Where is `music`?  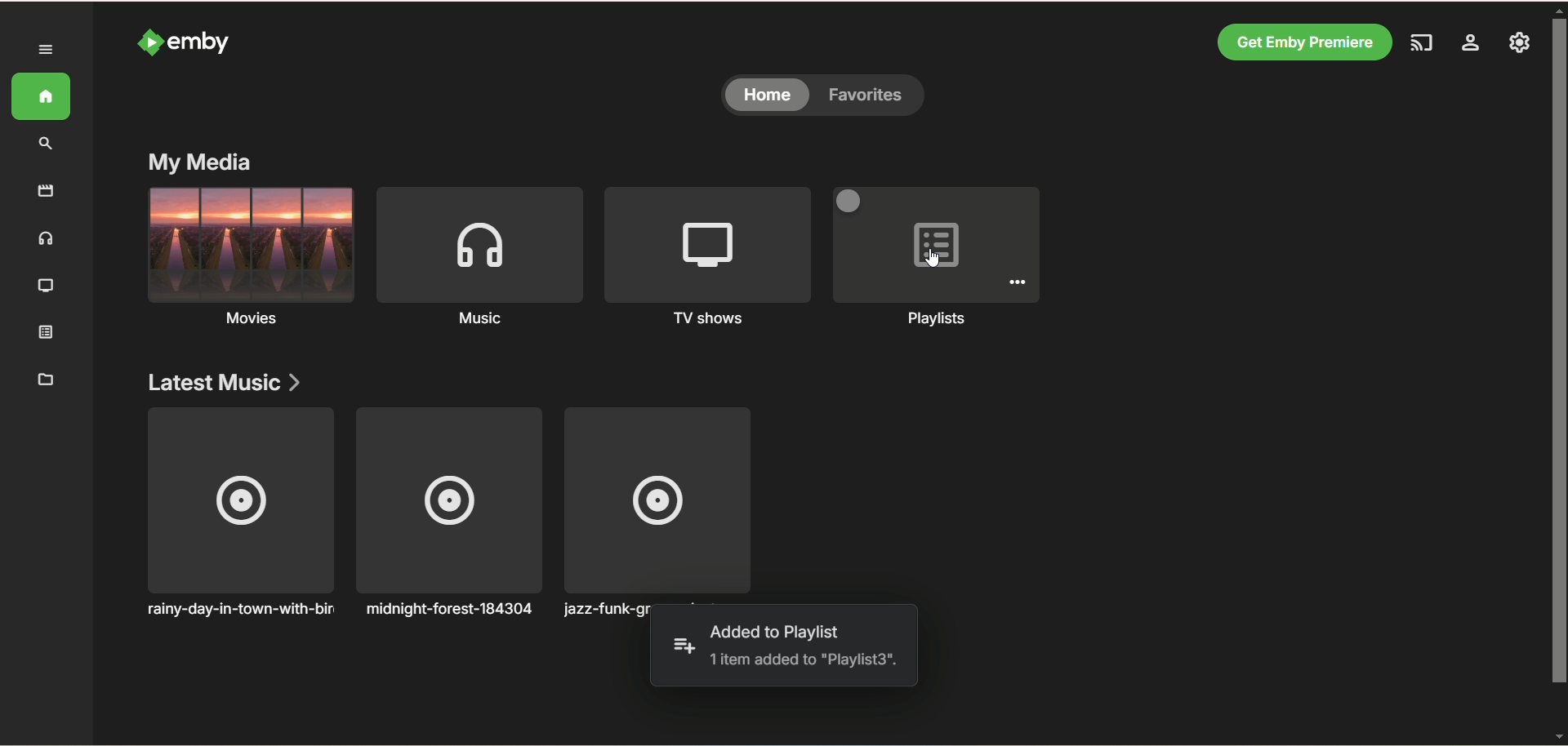 music is located at coordinates (47, 242).